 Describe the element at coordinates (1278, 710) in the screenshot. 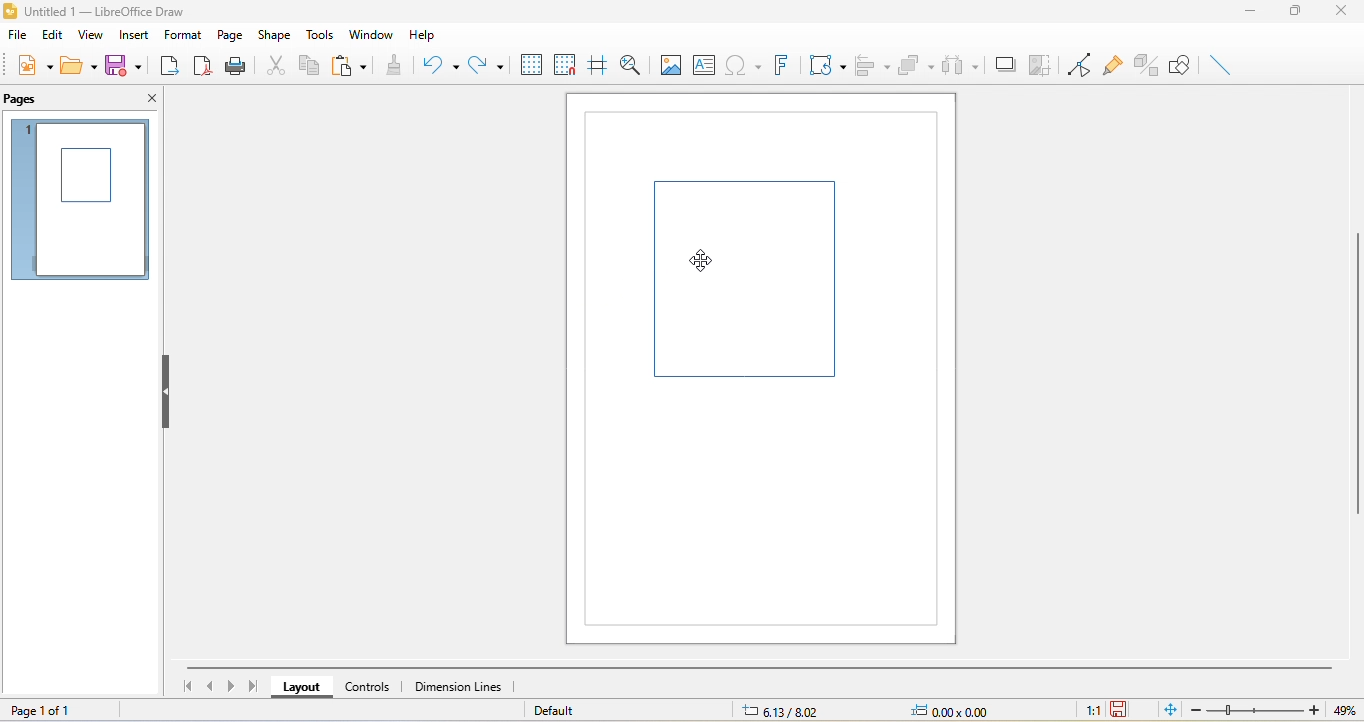

I see `zoom` at that location.